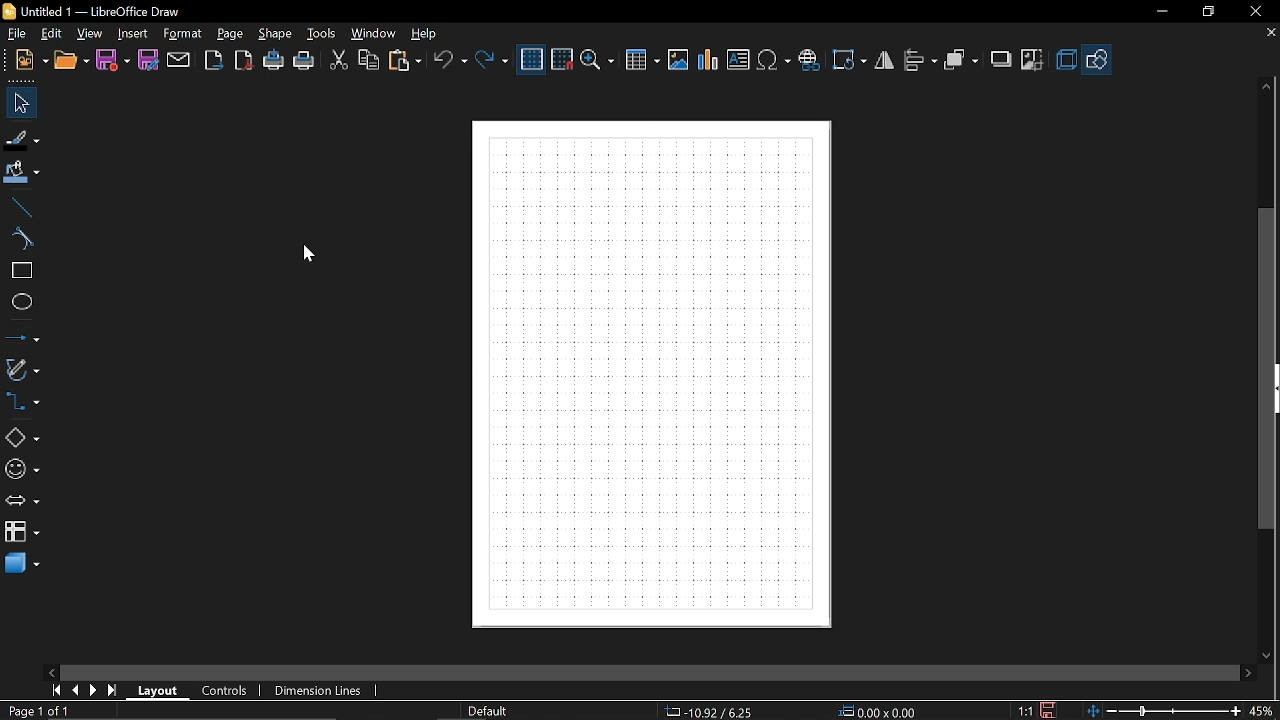  Describe the element at coordinates (43, 710) in the screenshot. I see `Page 1 of 1` at that location.